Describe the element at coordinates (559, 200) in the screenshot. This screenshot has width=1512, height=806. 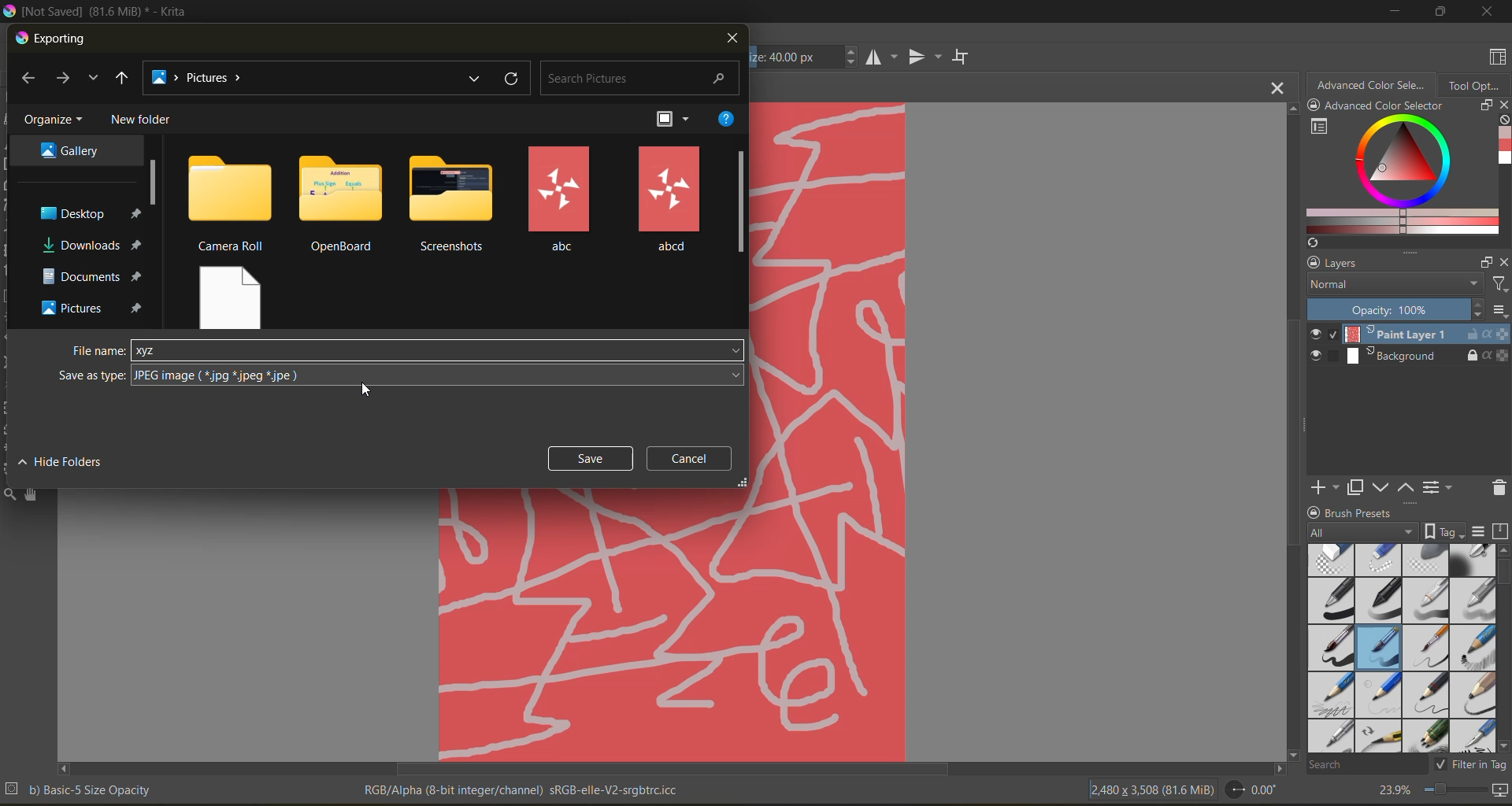
I see `folders` at that location.